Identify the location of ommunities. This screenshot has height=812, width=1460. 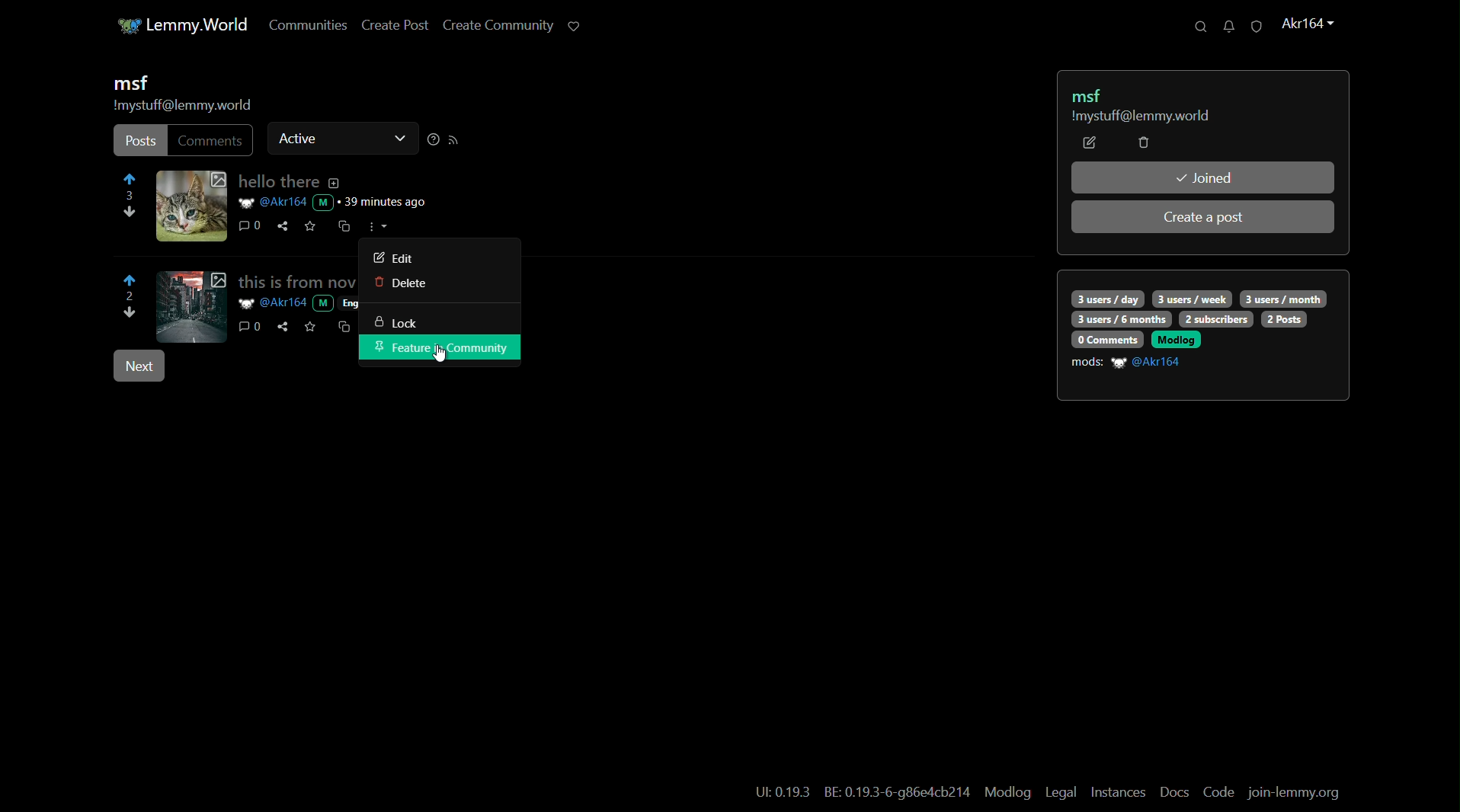
(301, 26).